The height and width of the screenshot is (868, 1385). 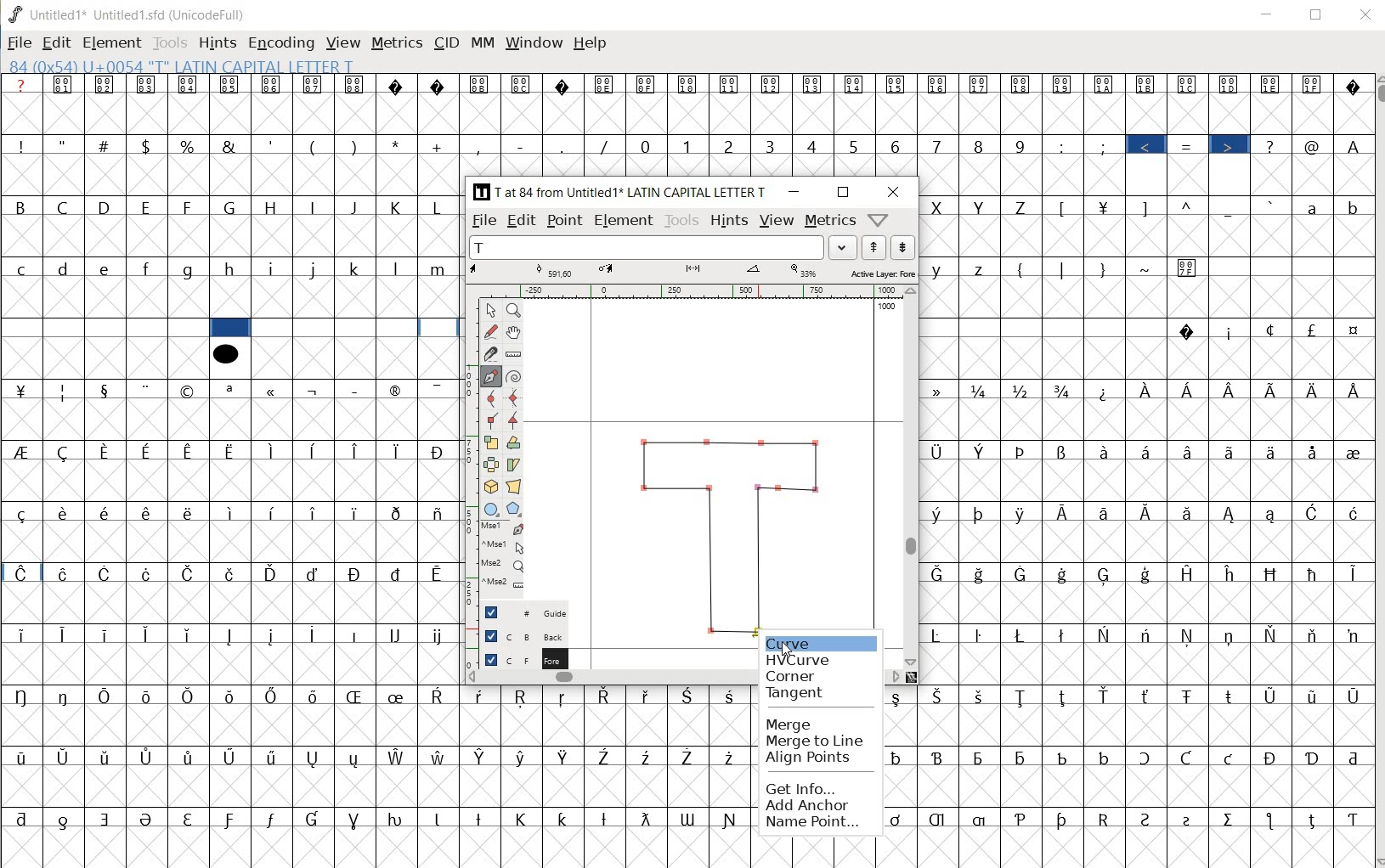 I want to click on Symbol, so click(x=1231, y=635).